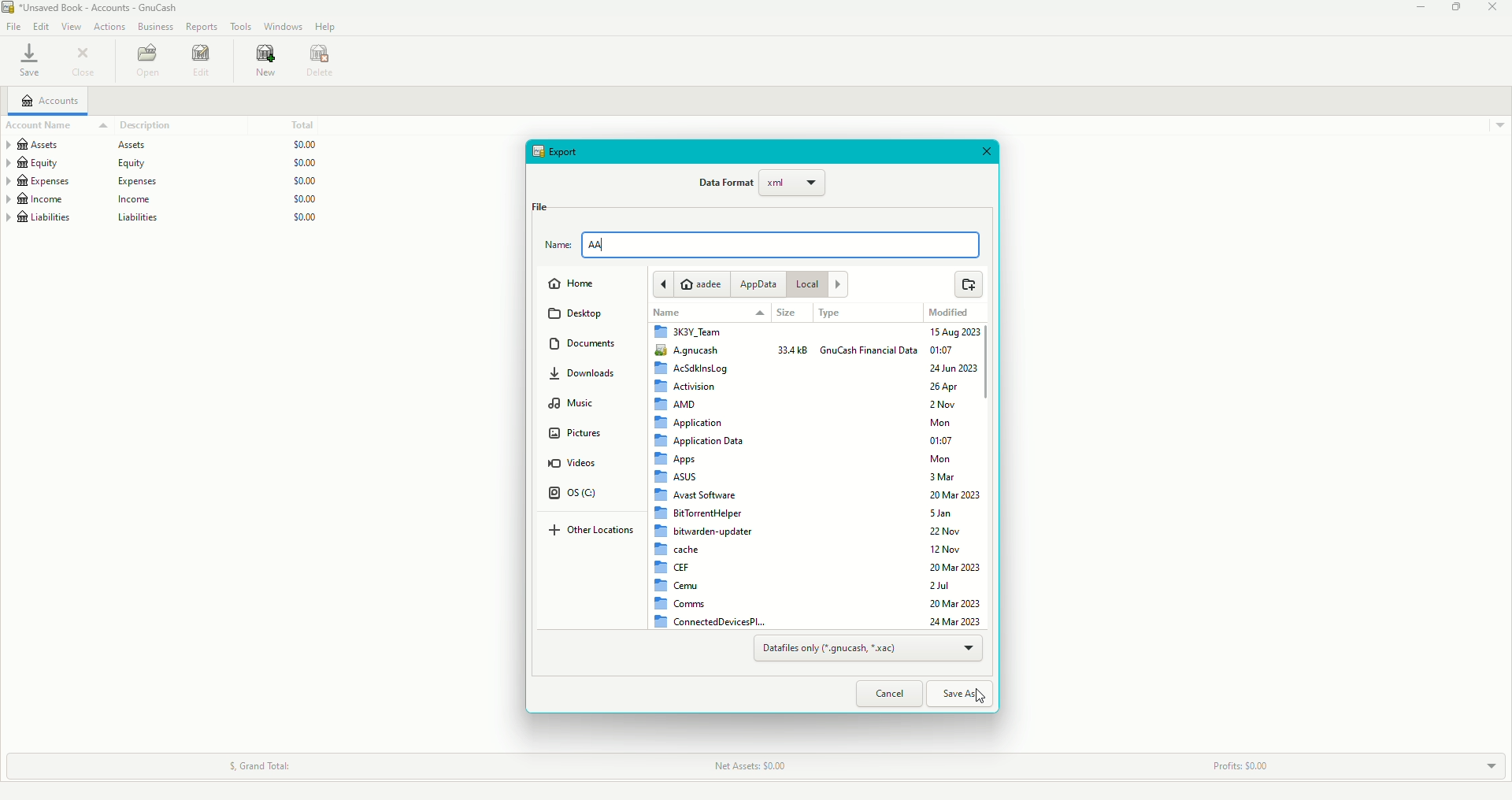  I want to click on Accounts, so click(48, 102).